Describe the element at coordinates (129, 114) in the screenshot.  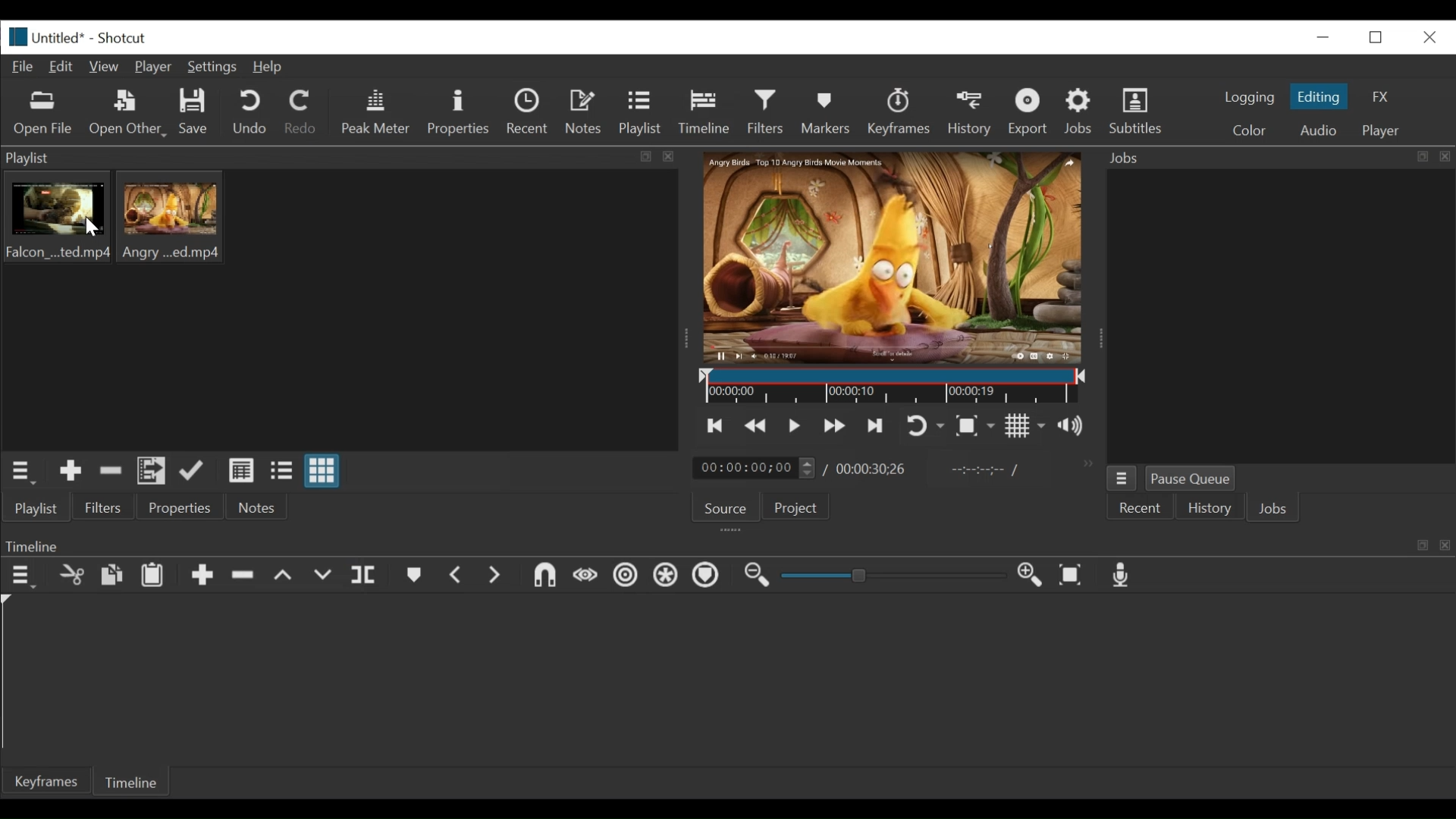
I see `Open Other` at that location.